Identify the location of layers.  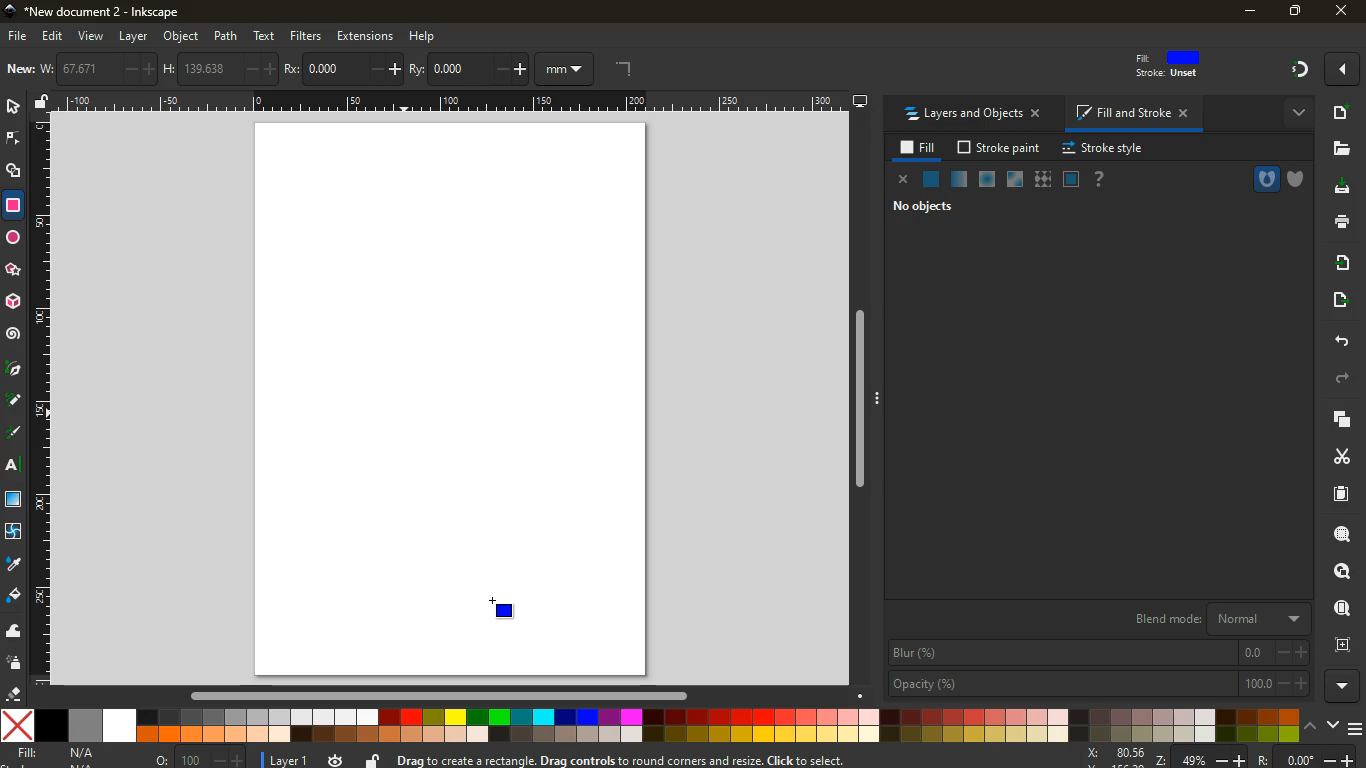
(1342, 420).